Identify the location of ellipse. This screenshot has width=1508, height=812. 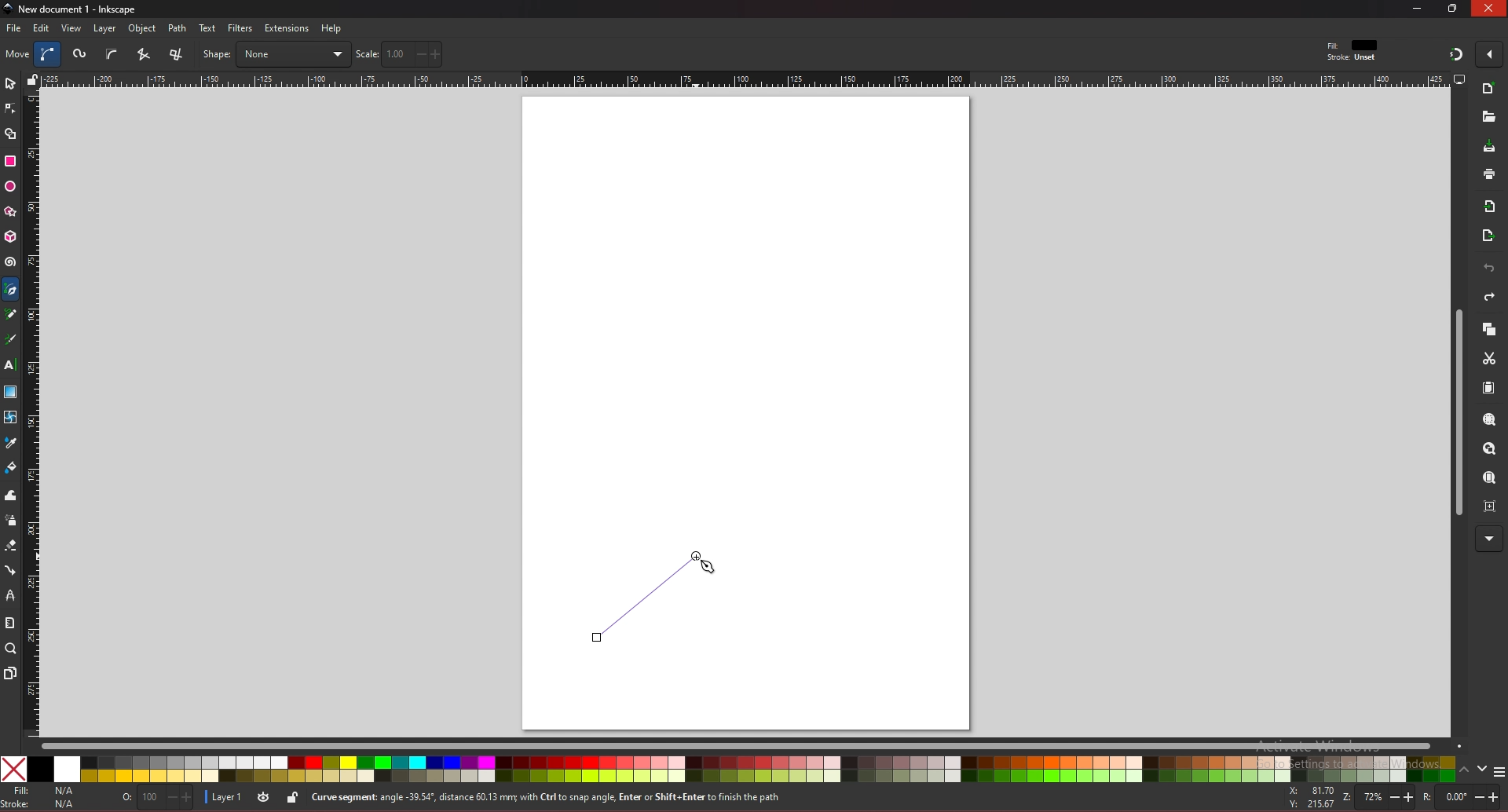
(10, 187).